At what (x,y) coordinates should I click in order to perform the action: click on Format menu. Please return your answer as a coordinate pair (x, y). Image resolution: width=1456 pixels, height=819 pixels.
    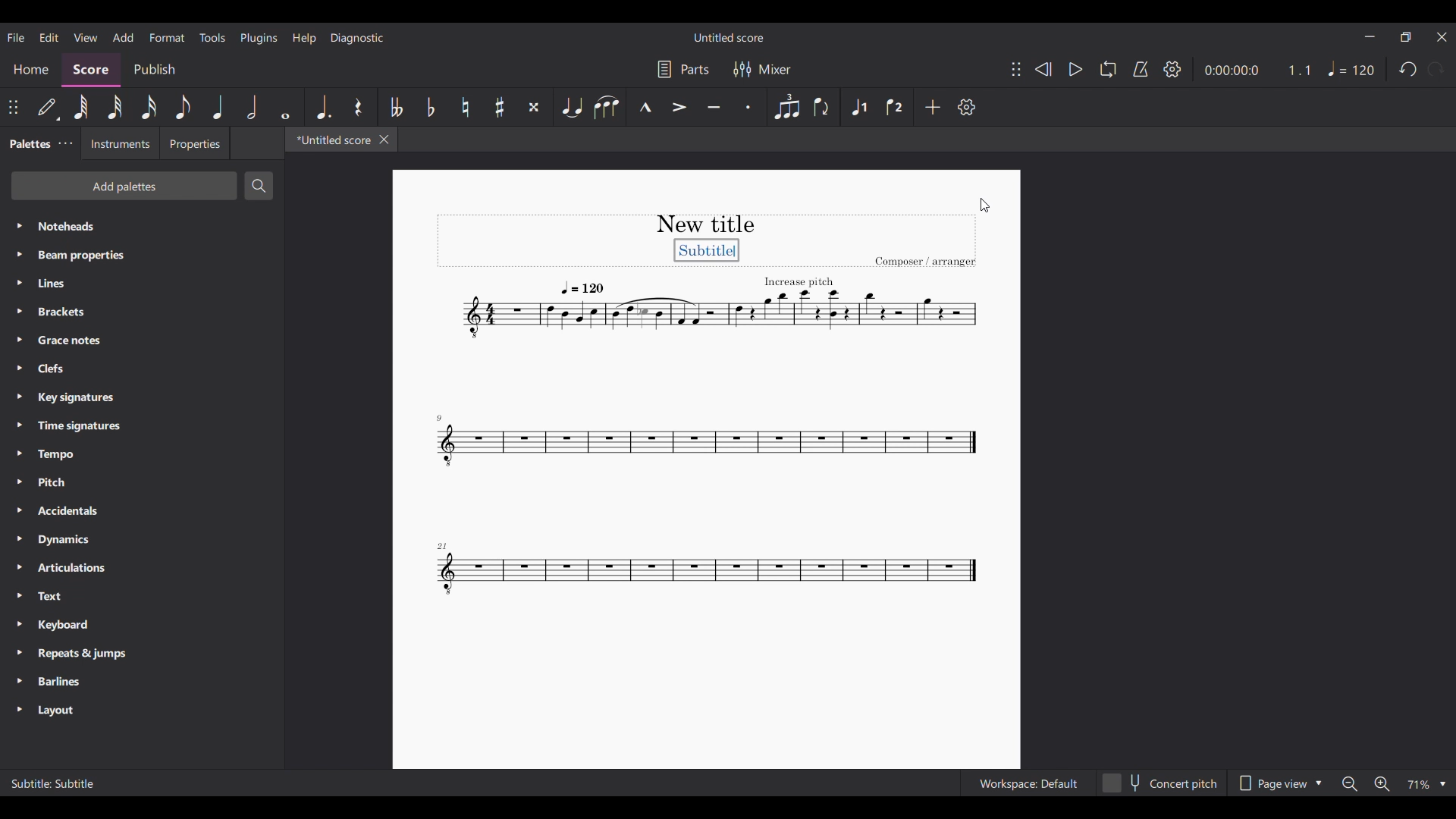
    Looking at the image, I should click on (167, 38).